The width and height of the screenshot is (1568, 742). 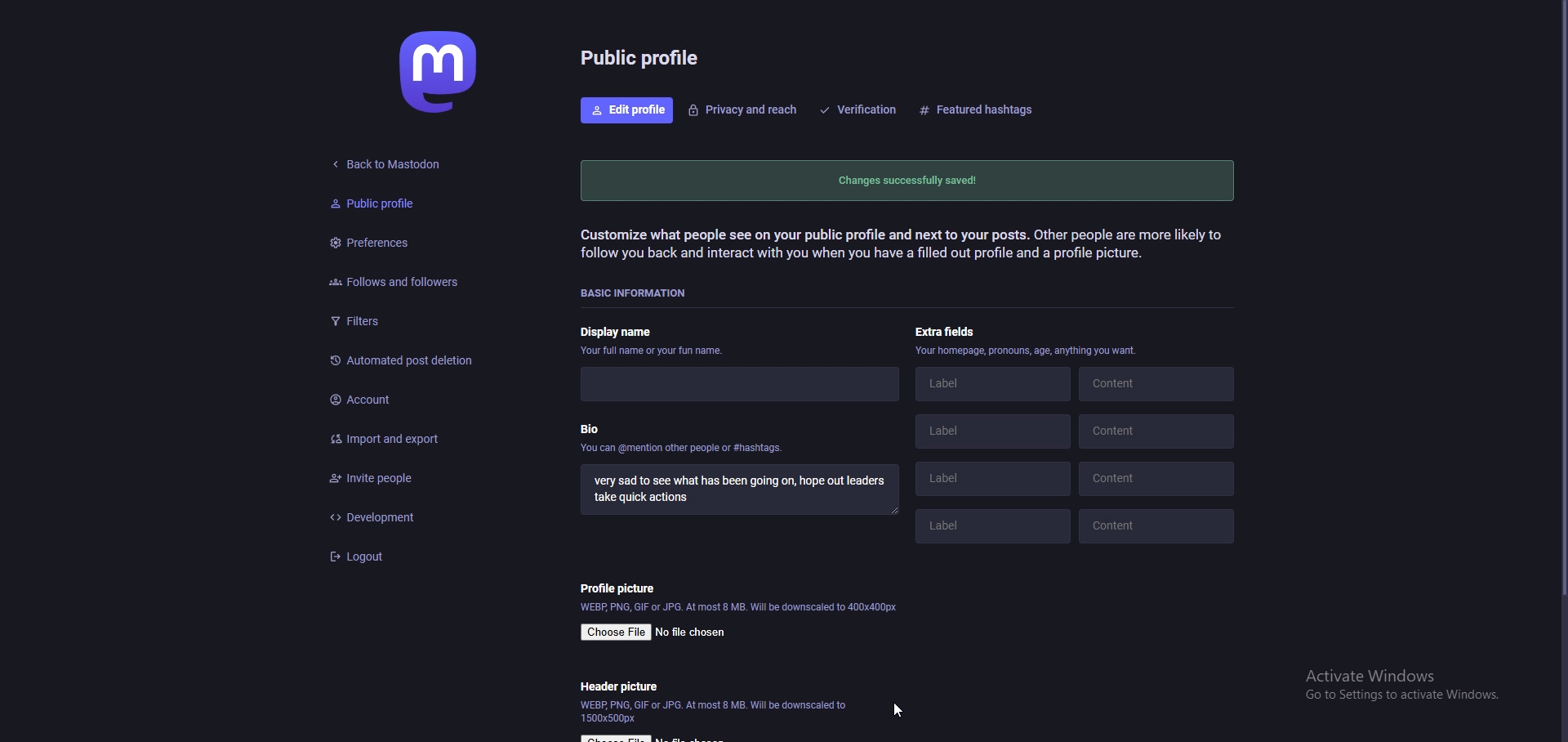 I want to click on content, so click(x=1158, y=476).